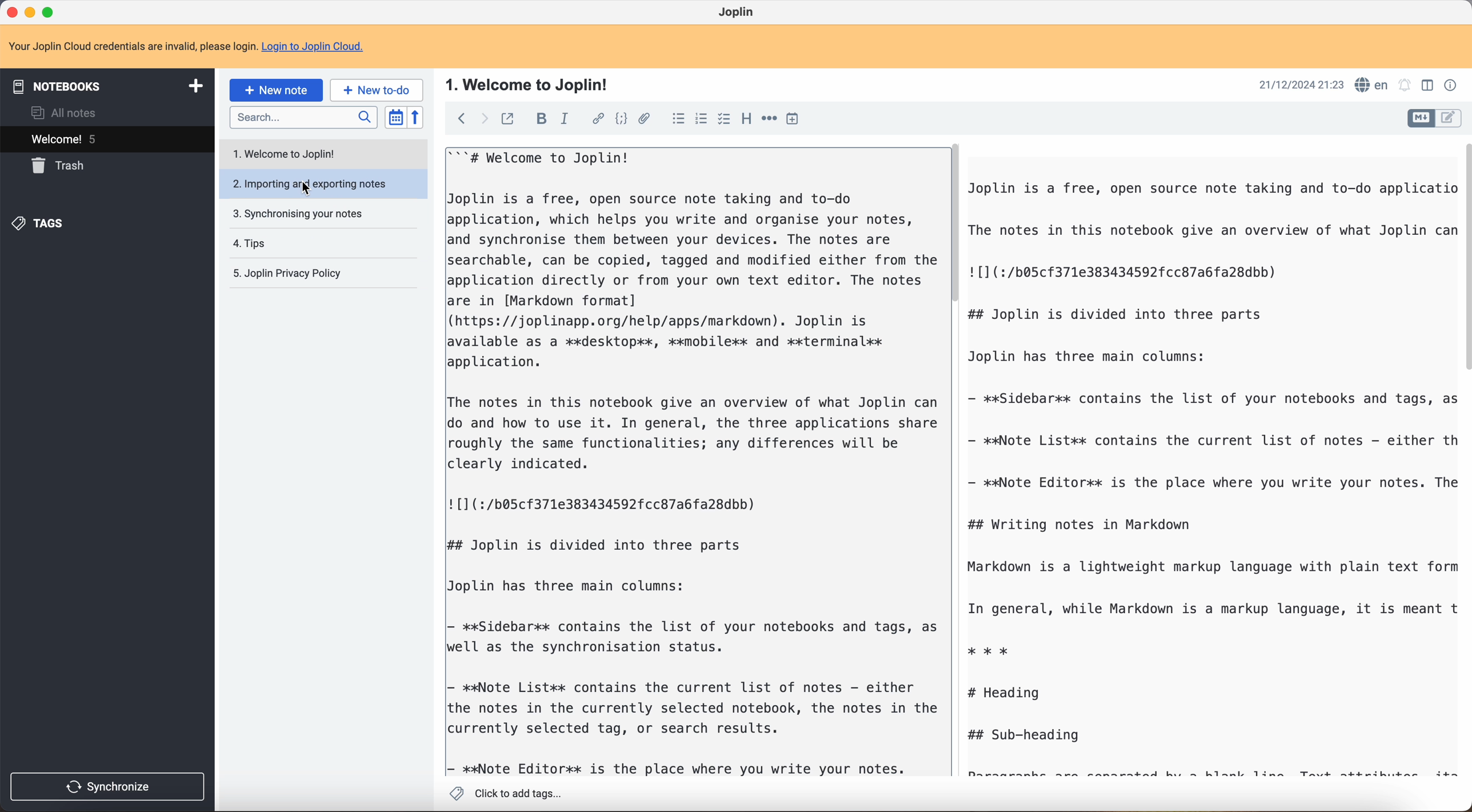 This screenshot has height=812, width=1472. Describe the element at coordinates (1449, 118) in the screenshot. I see `toggle editor layout` at that location.